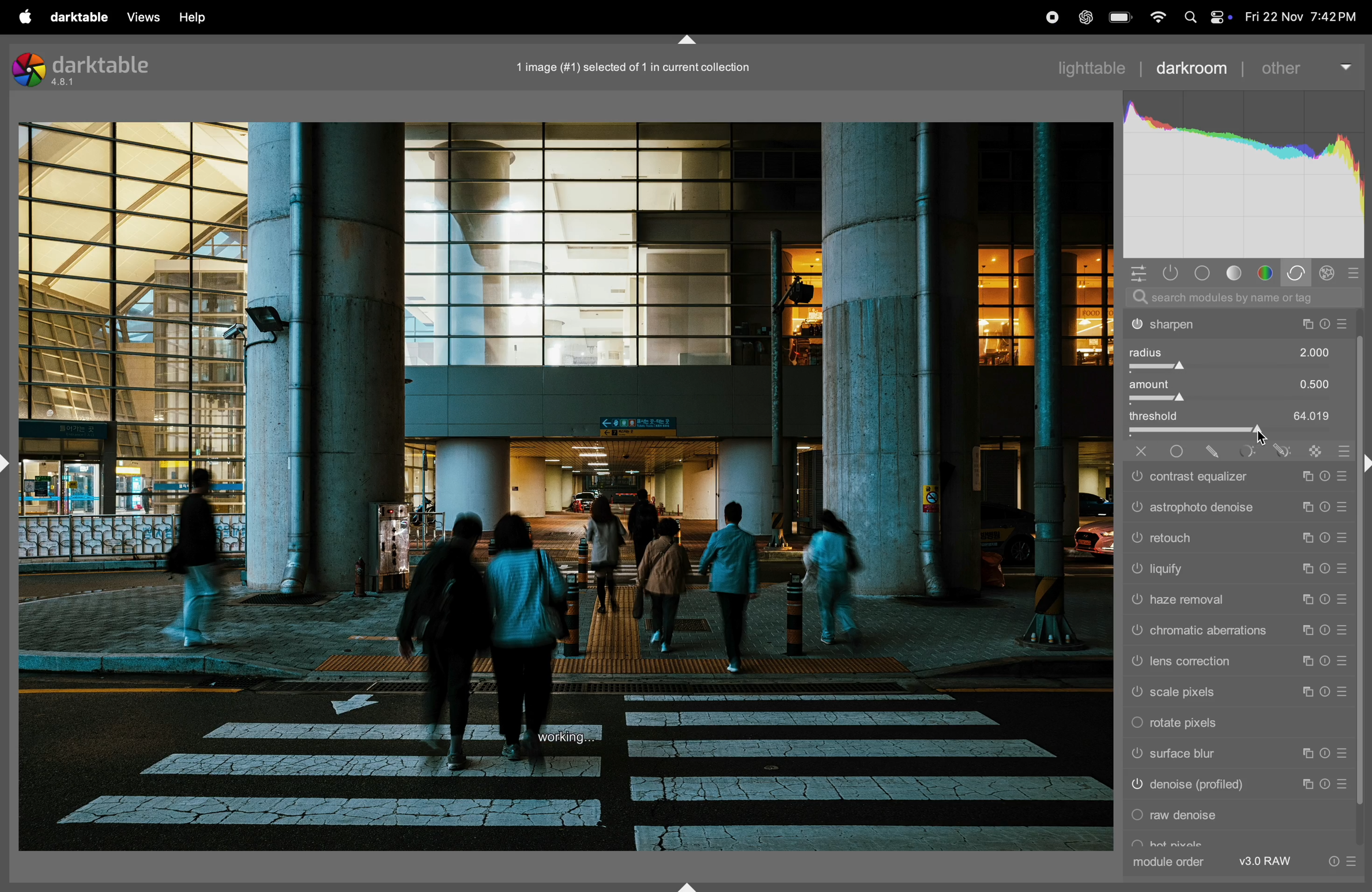 The image size is (1372, 892). Describe the element at coordinates (1238, 538) in the screenshot. I see `retouch` at that location.